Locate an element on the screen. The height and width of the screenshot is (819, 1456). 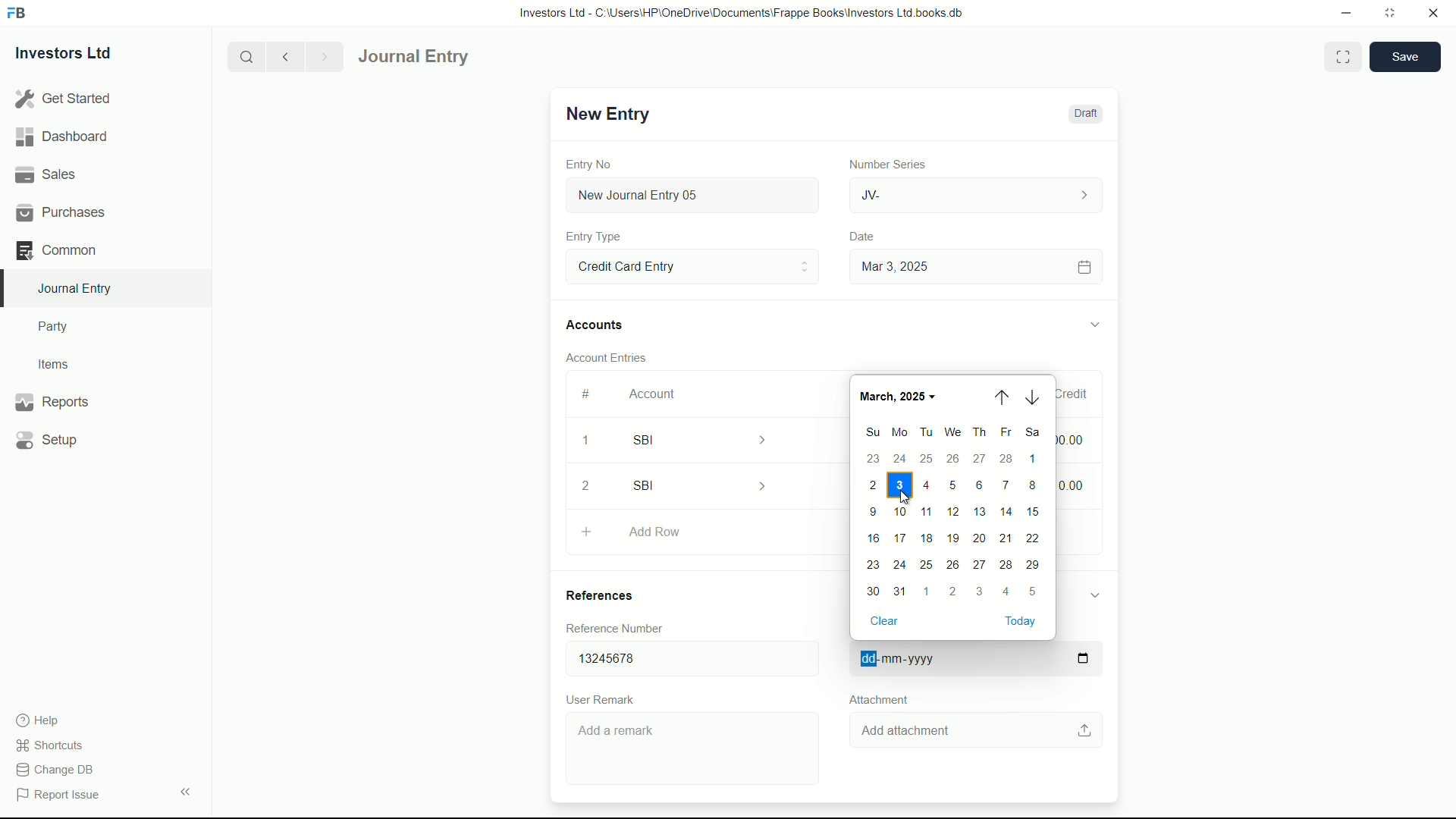
minimize is located at coordinates (1342, 11).